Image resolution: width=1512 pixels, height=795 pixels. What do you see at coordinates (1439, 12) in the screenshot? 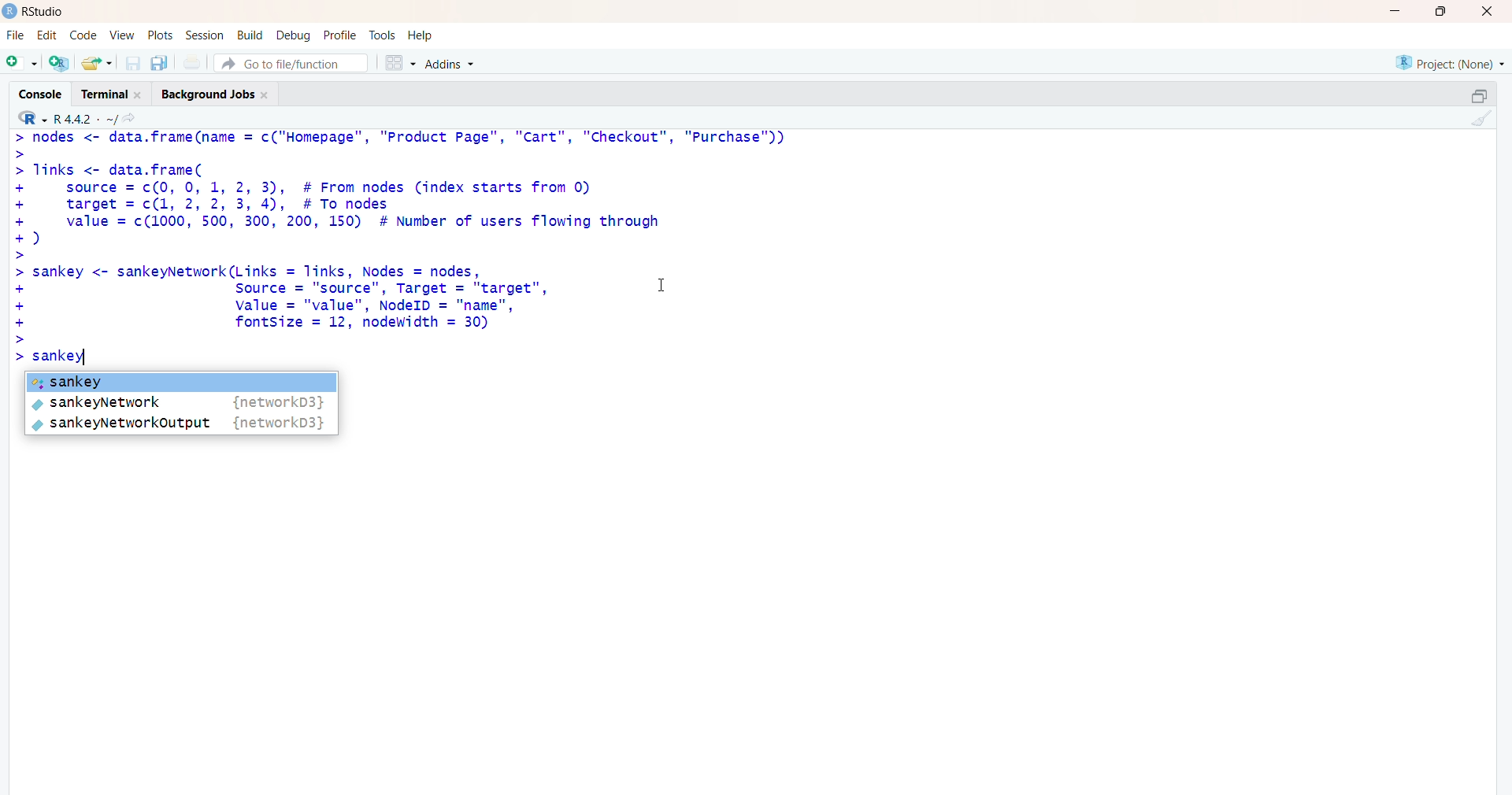
I see `maximize` at bounding box center [1439, 12].